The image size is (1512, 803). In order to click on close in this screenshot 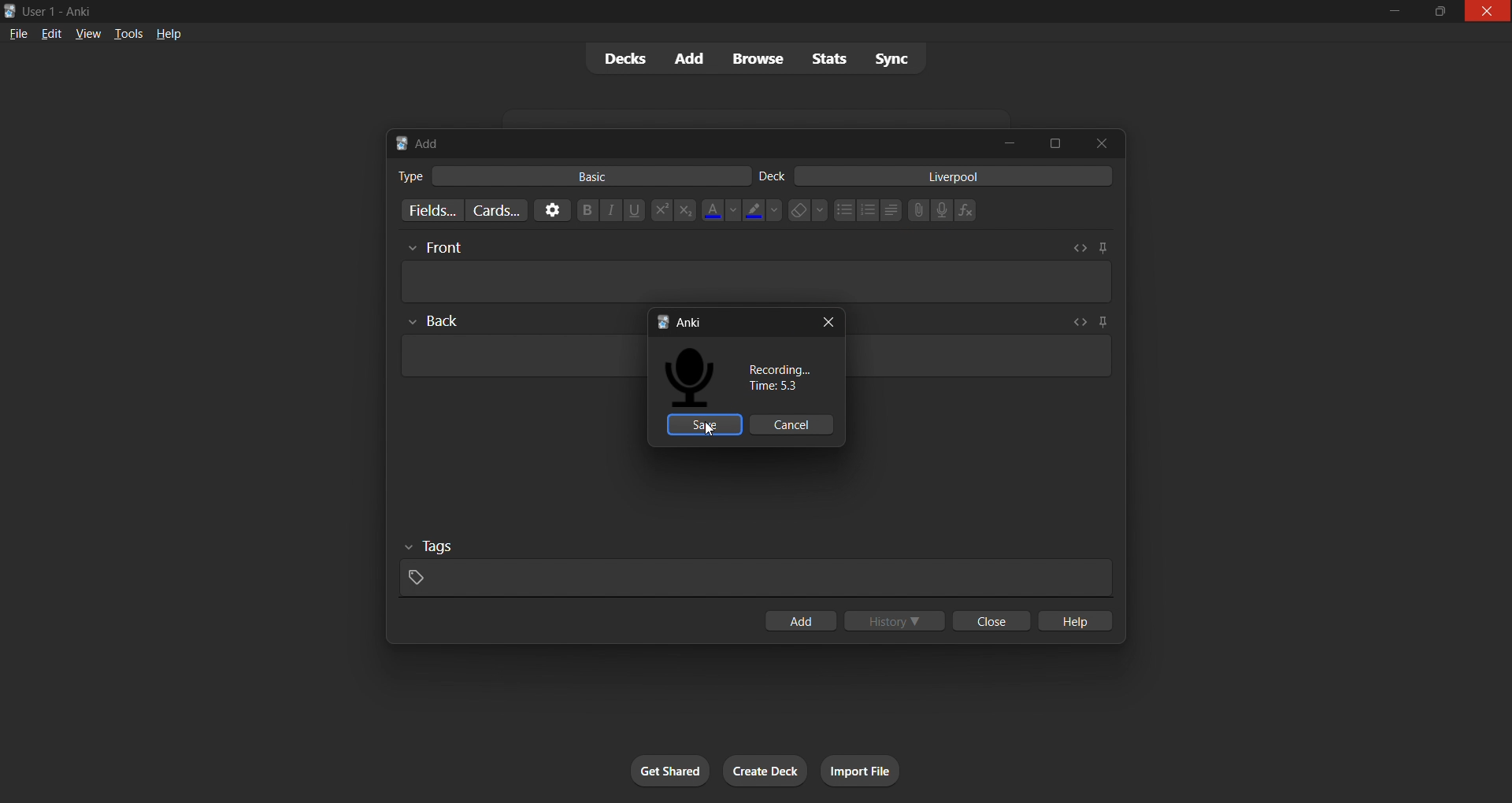, I will do `click(992, 621)`.